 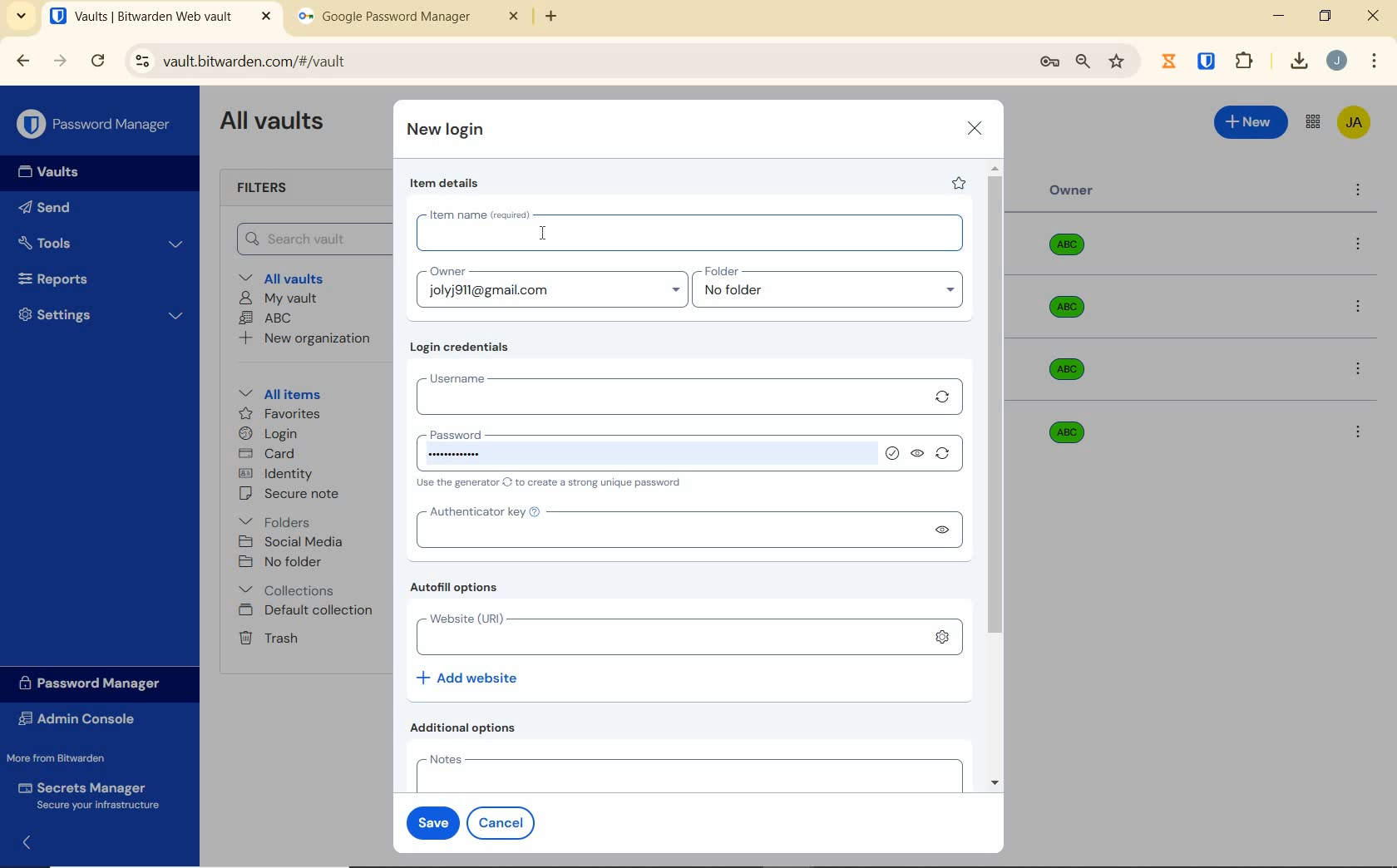 What do you see at coordinates (278, 519) in the screenshot?
I see `Folders` at bounding box center [278, 519].